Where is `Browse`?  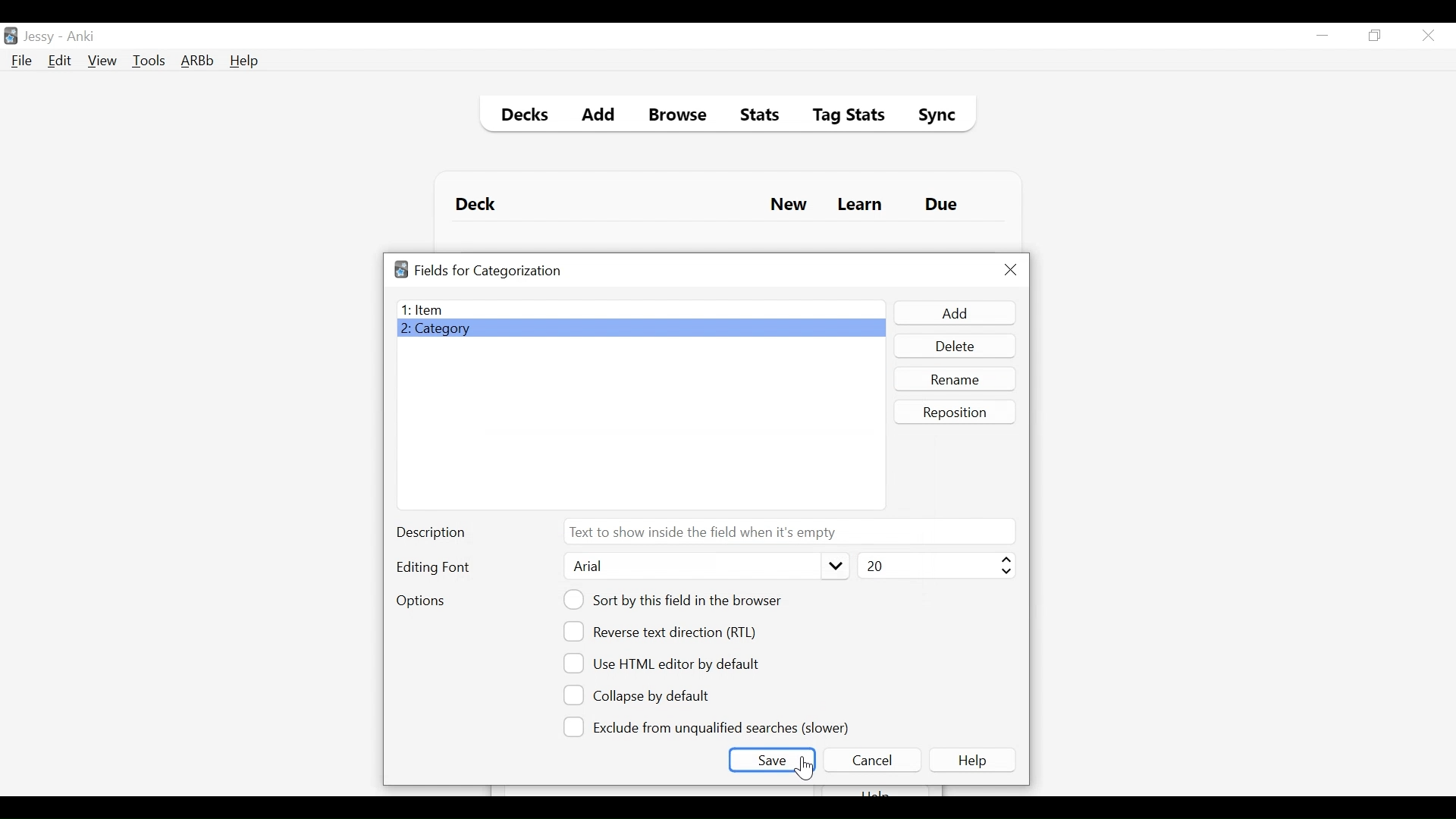 Browse is located at coordinates (680, 117).